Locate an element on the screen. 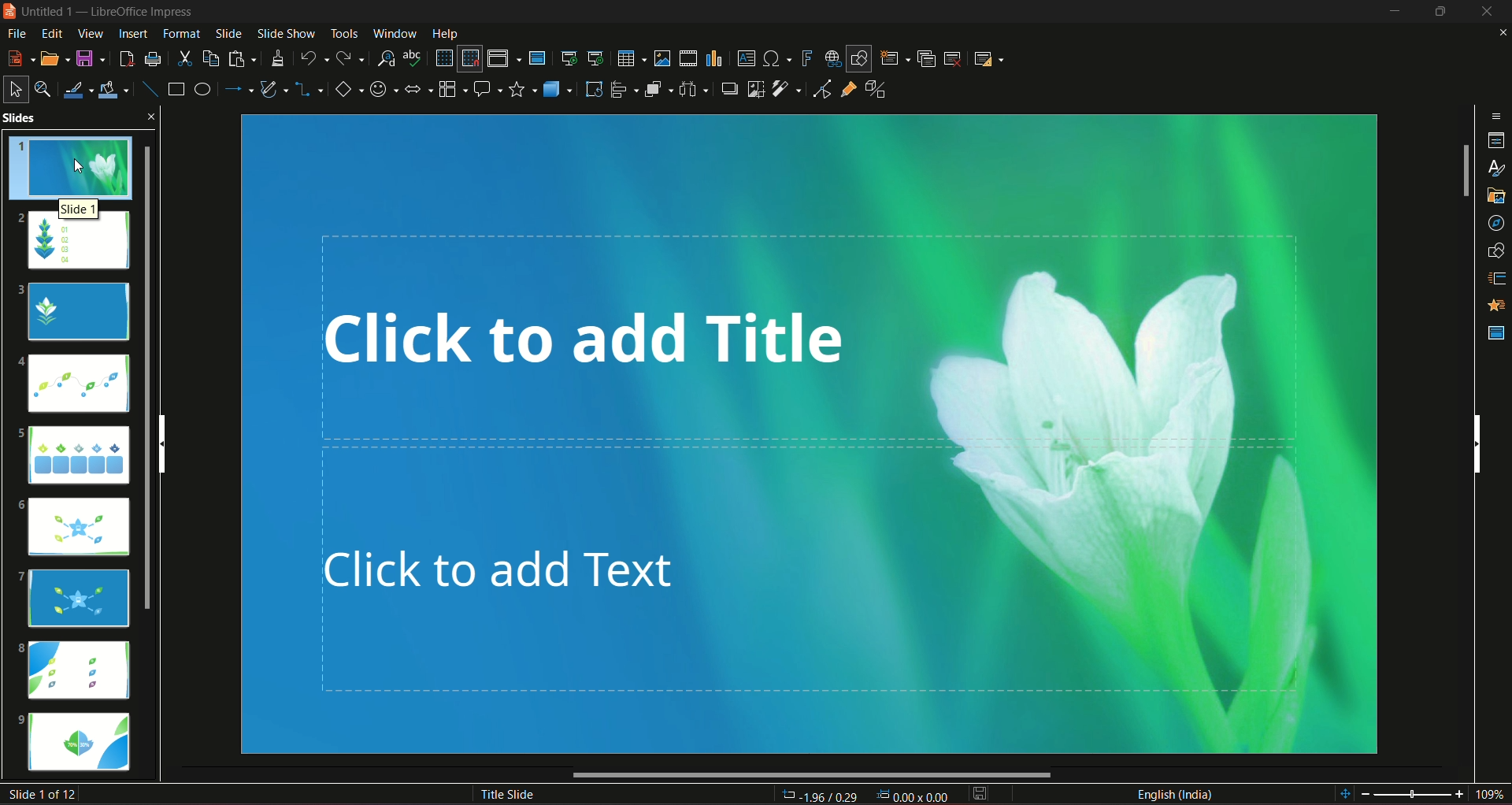 The width and height of the screenshot is (1512, 805). symbol shapes is located at coordinates (384, 89).